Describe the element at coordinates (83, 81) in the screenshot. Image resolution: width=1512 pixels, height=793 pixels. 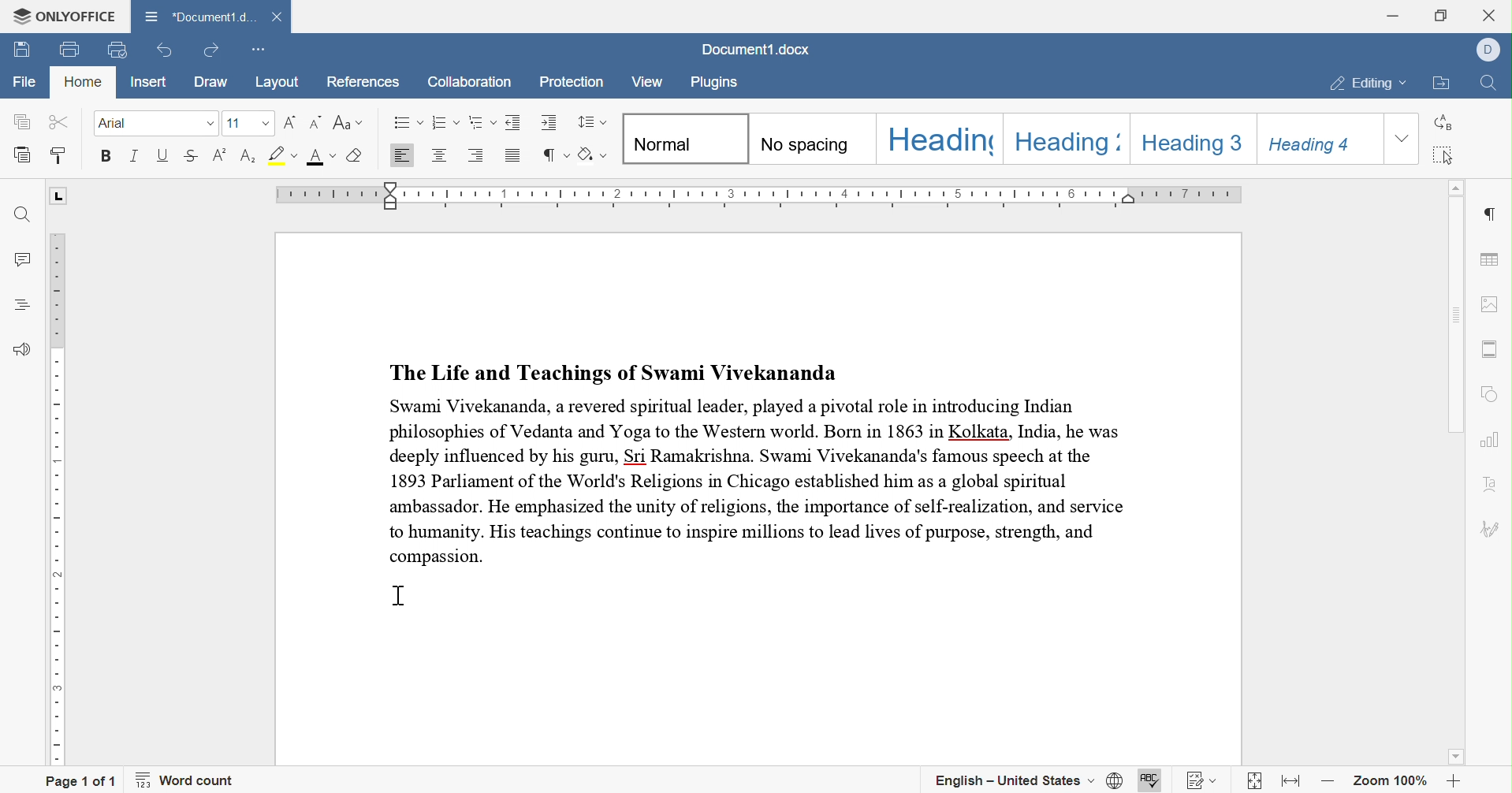
I see `home` at that location.